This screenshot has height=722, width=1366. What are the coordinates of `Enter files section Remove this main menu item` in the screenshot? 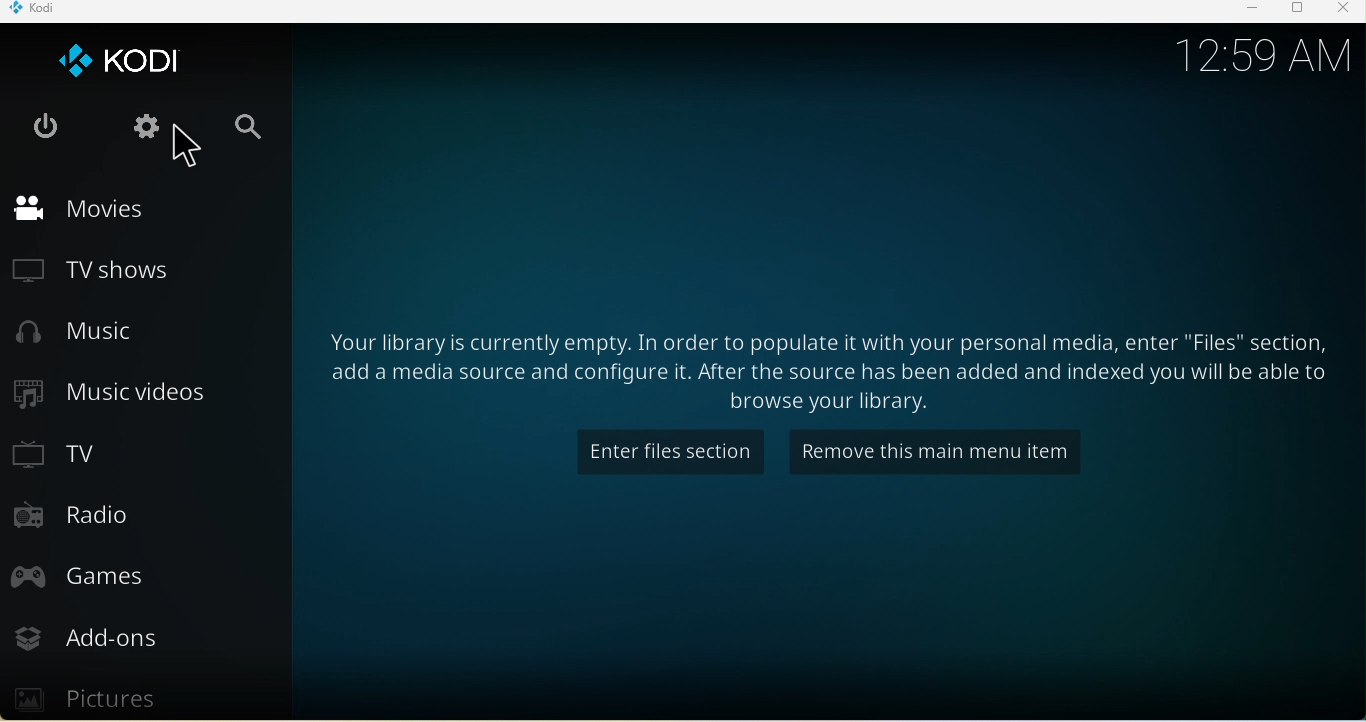 It's located at (831, 369).